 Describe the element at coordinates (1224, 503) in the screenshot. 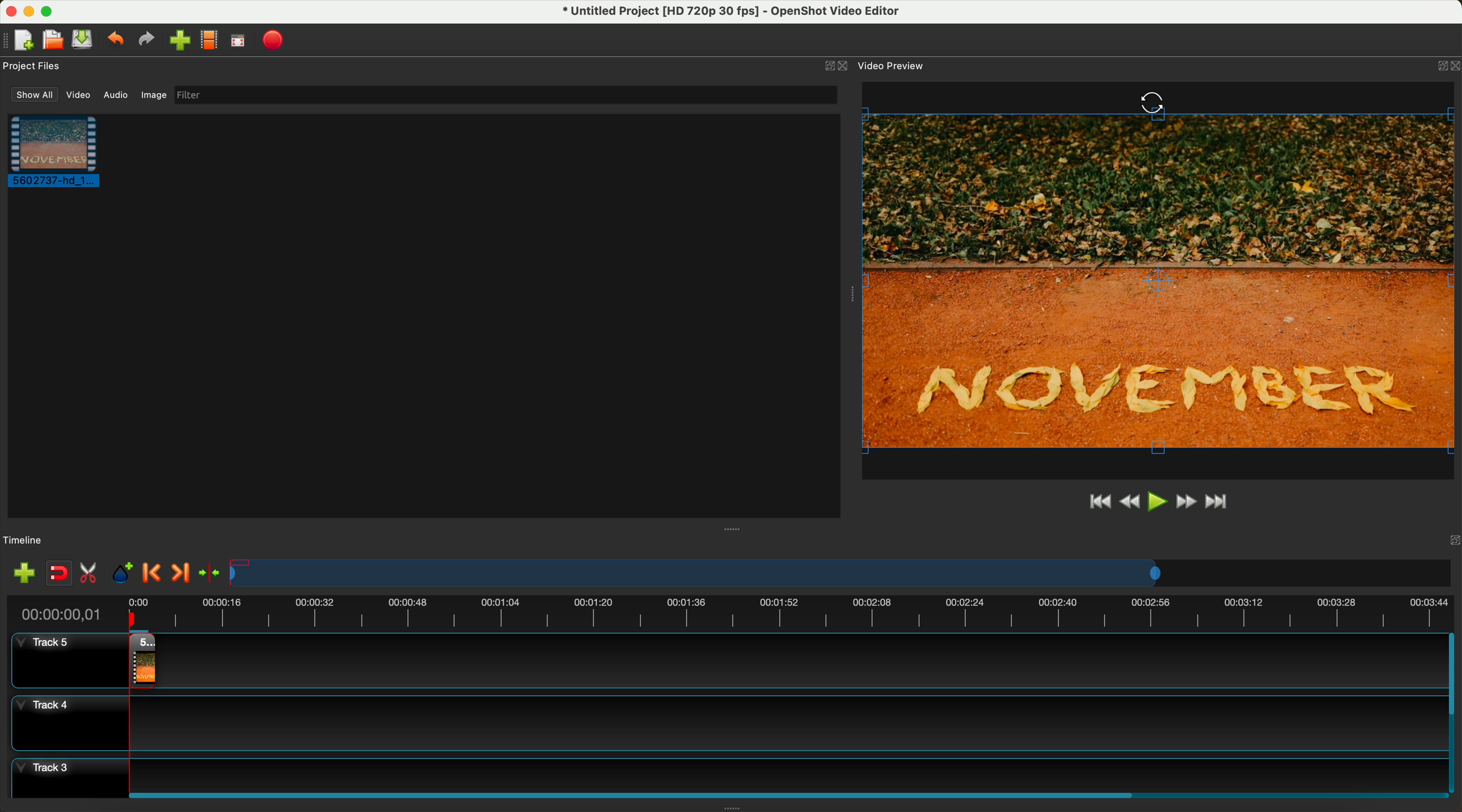

I see `jump to end` at that location.